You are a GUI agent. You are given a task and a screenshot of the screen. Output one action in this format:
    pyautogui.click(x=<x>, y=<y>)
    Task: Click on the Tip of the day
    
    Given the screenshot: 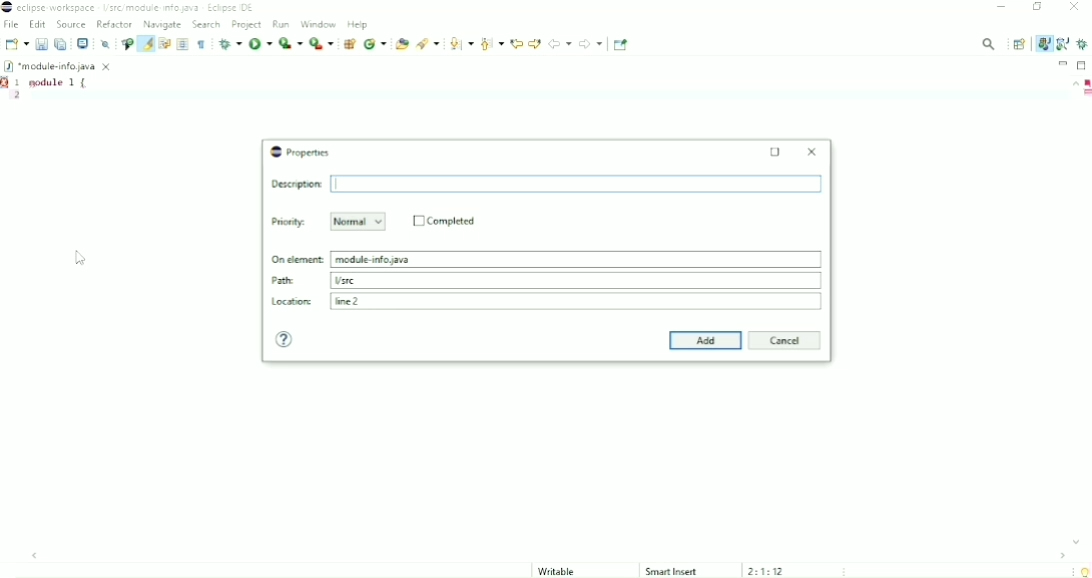 What is the action you would take?
    pyautogui.click(x=1083, y=572)
    